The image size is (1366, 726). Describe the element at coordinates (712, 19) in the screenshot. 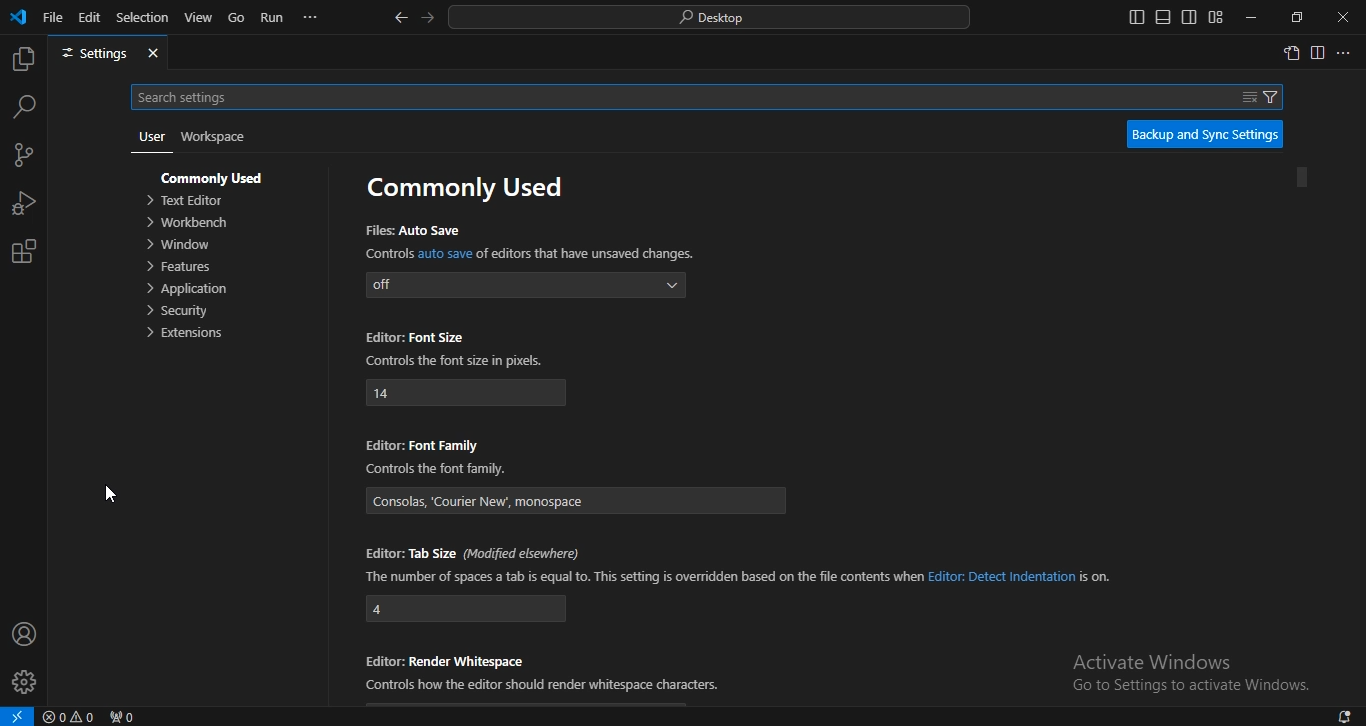

I see `search` at that location.